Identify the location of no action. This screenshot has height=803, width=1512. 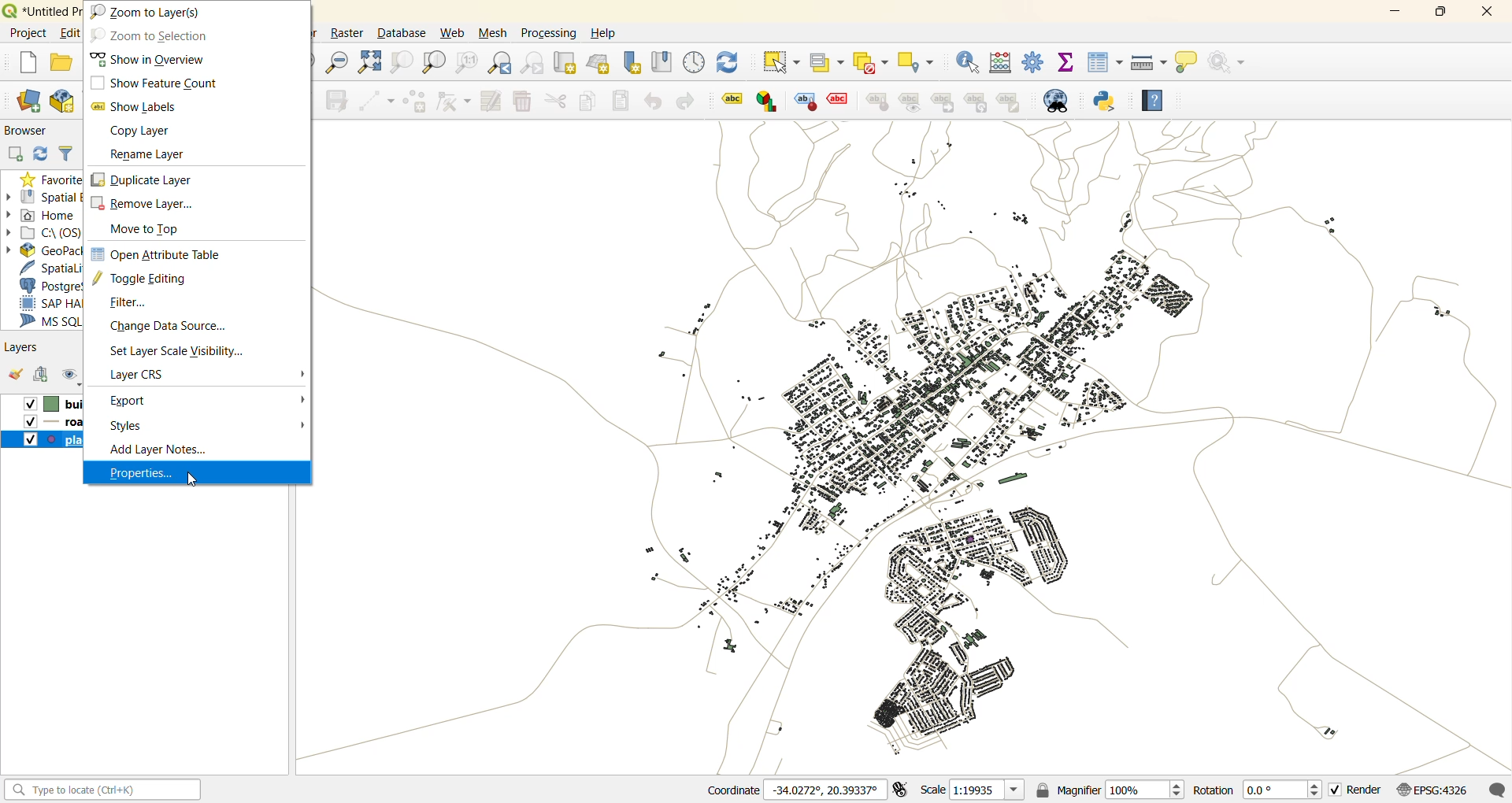
(1228, 65).